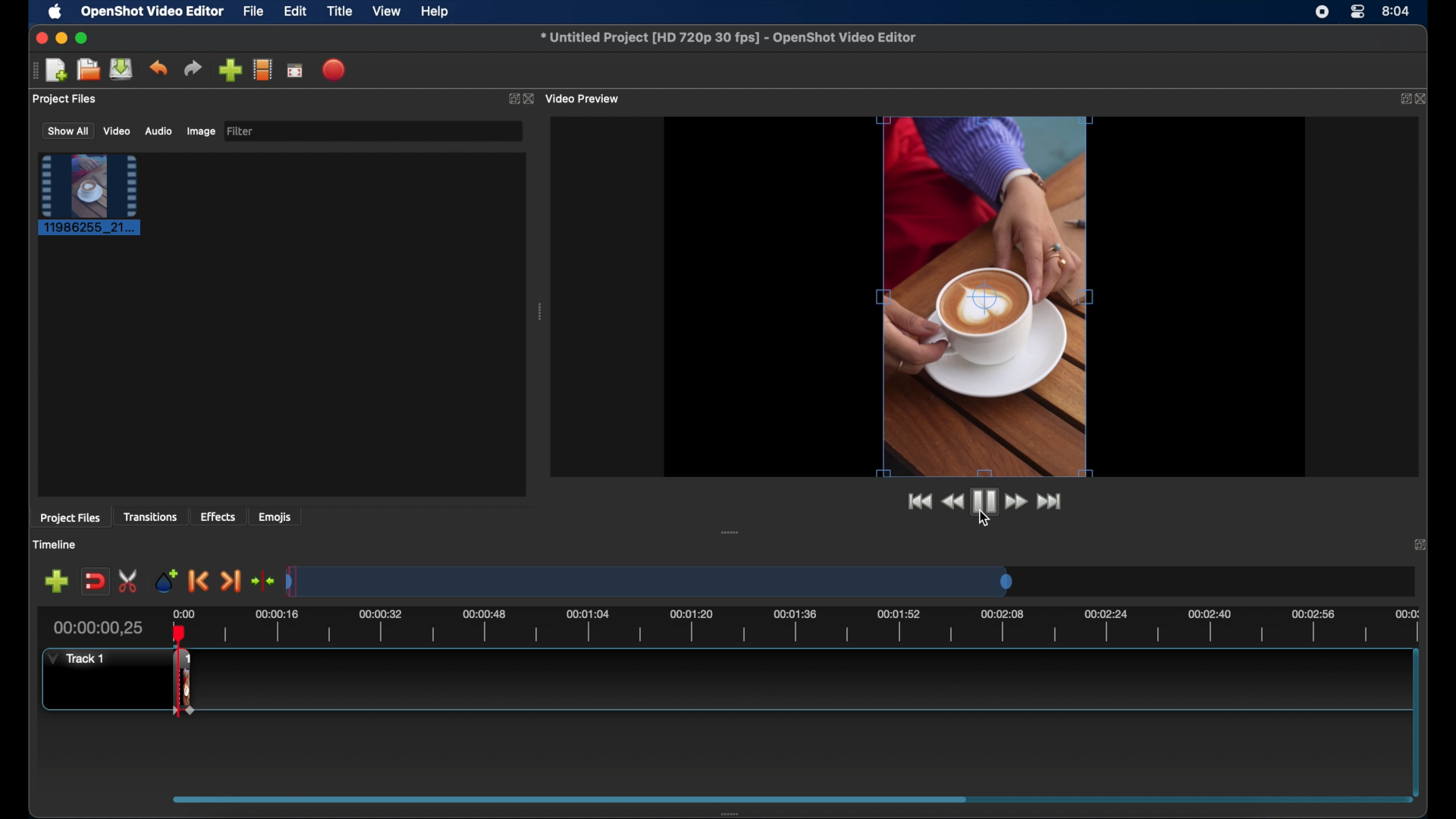 The width and height of the screenshot is (1456, 819). I want to click on current time indicator, so click(98, 628).